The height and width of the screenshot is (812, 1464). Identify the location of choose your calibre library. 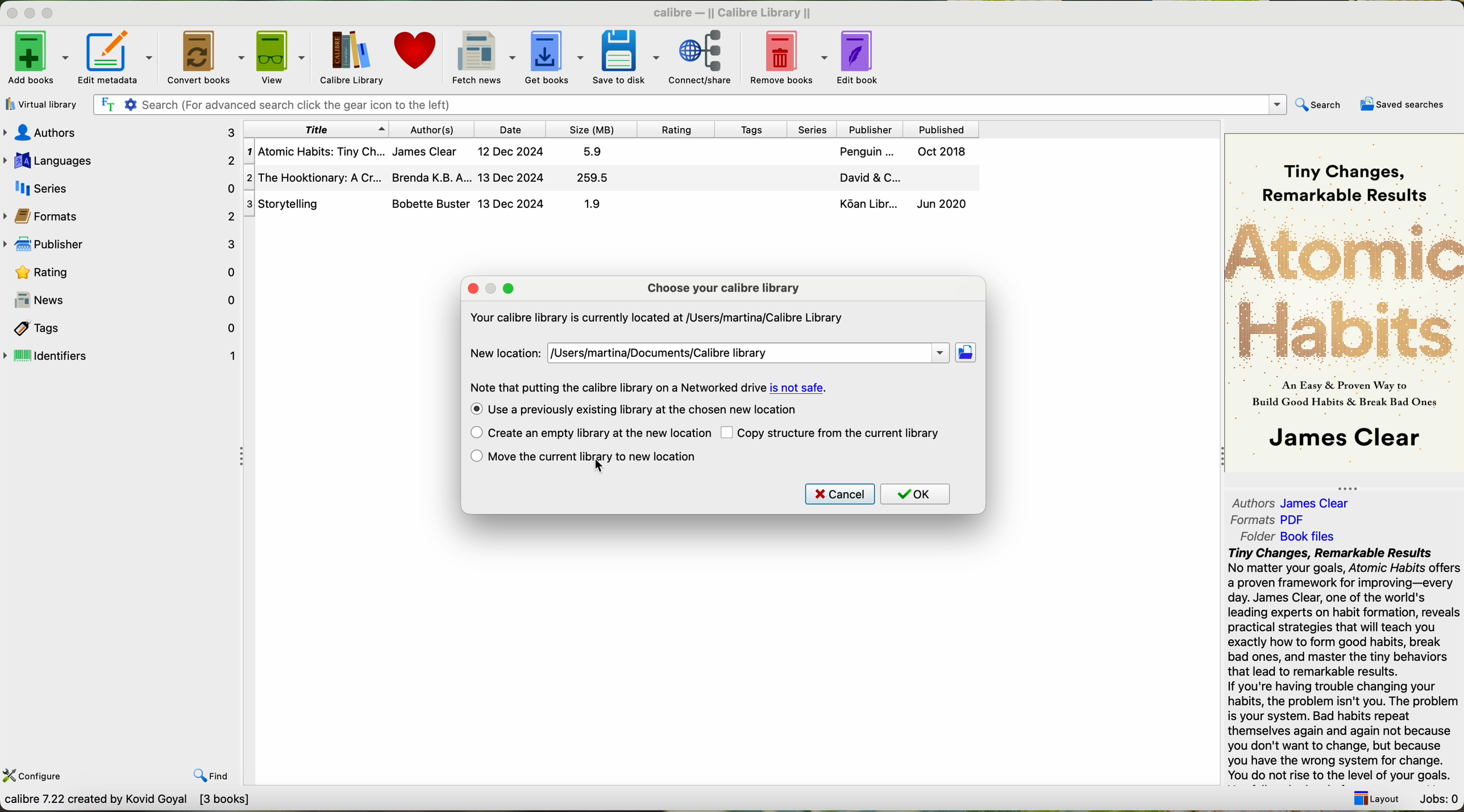
(723, 288).